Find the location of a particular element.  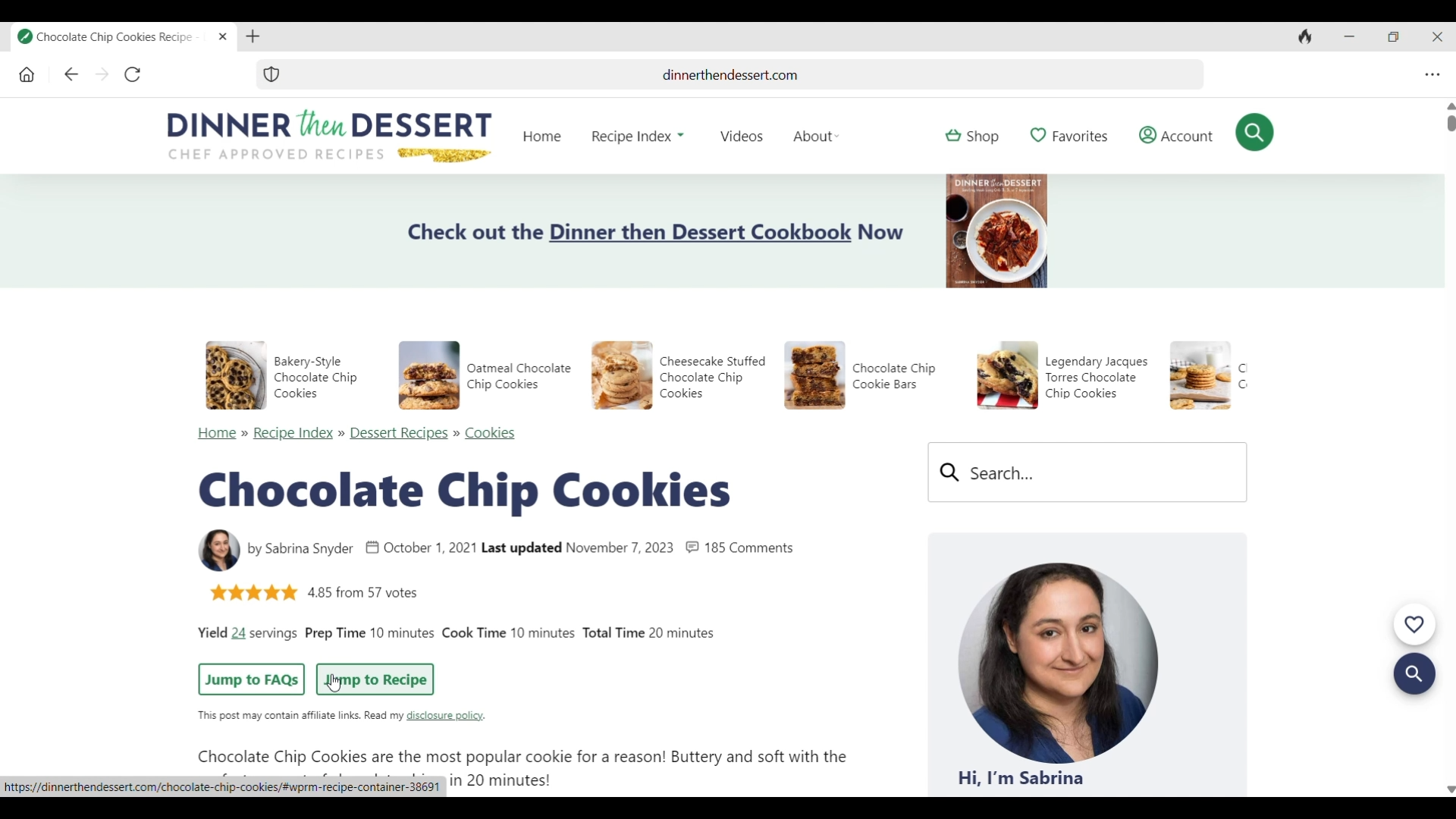

Chocolate Chip Cookie Bars is located at coordinates (895, 376).